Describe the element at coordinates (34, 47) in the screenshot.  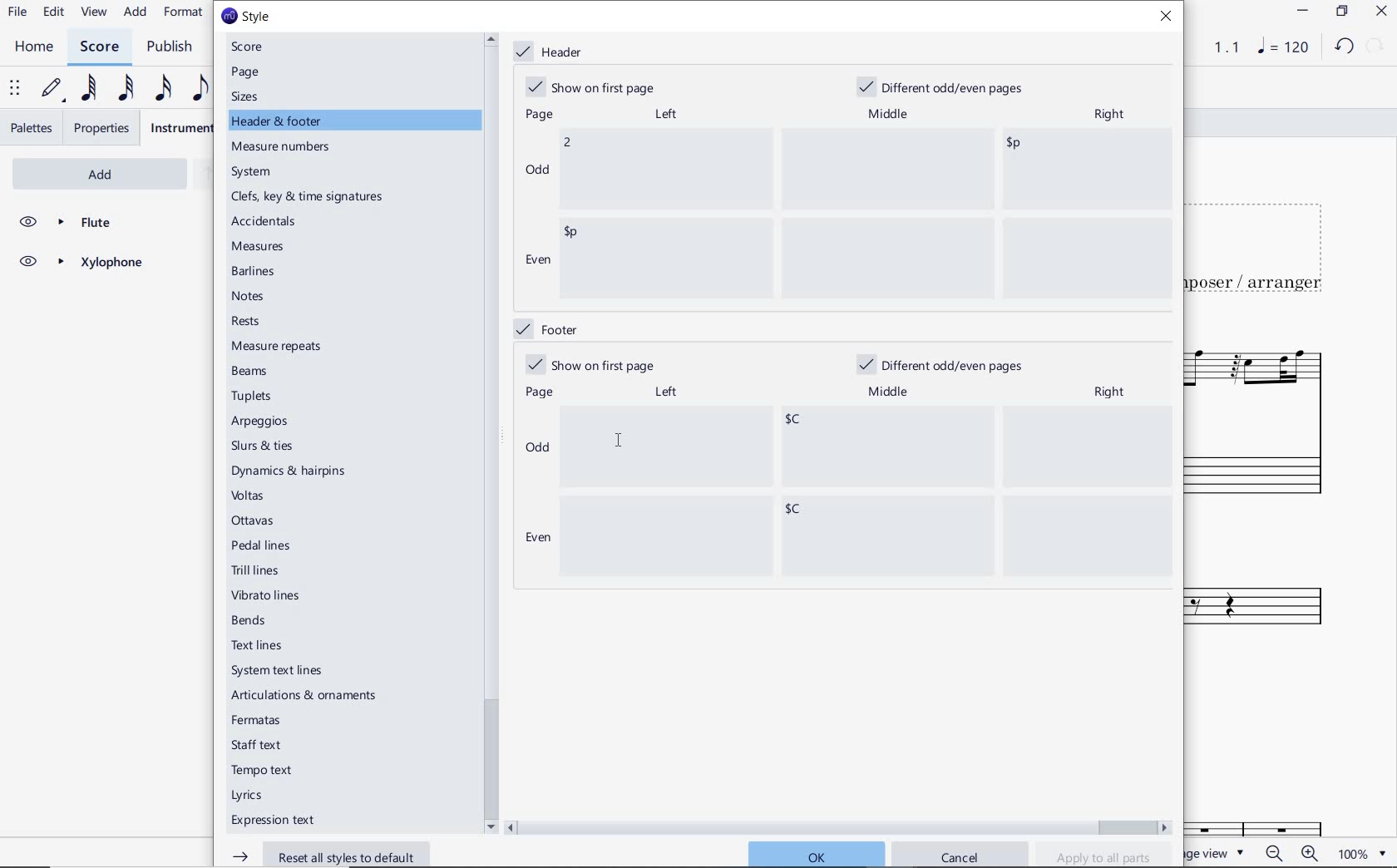
I see `HOME` at that location.